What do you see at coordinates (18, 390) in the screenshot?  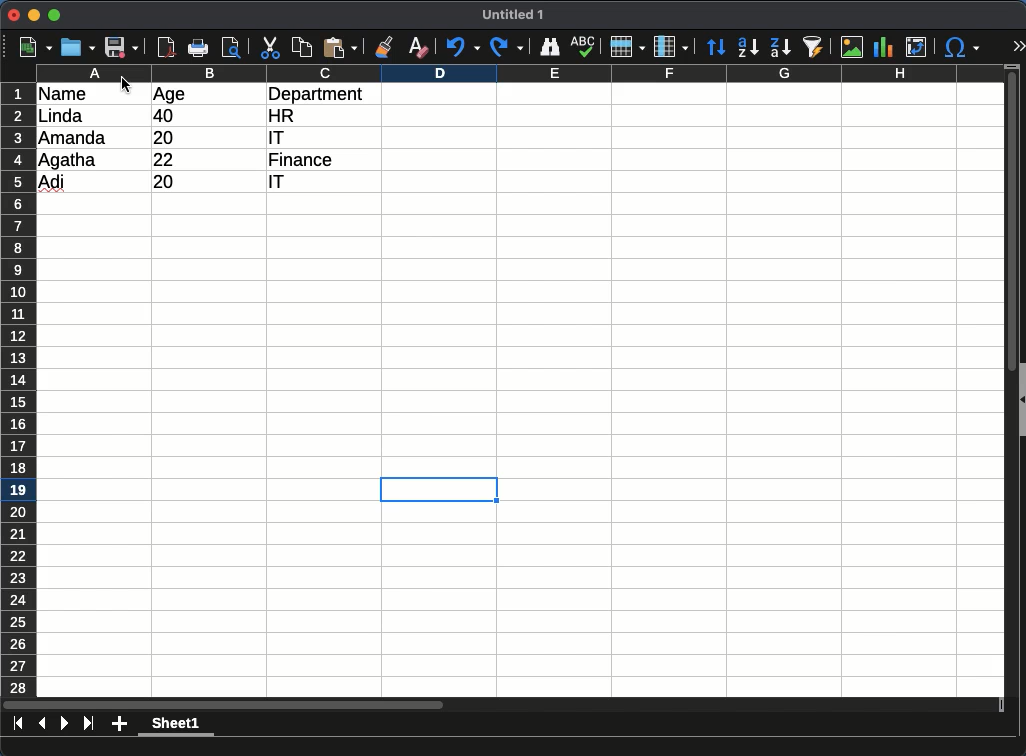 I see `rows` at bounding box center [18, 390].